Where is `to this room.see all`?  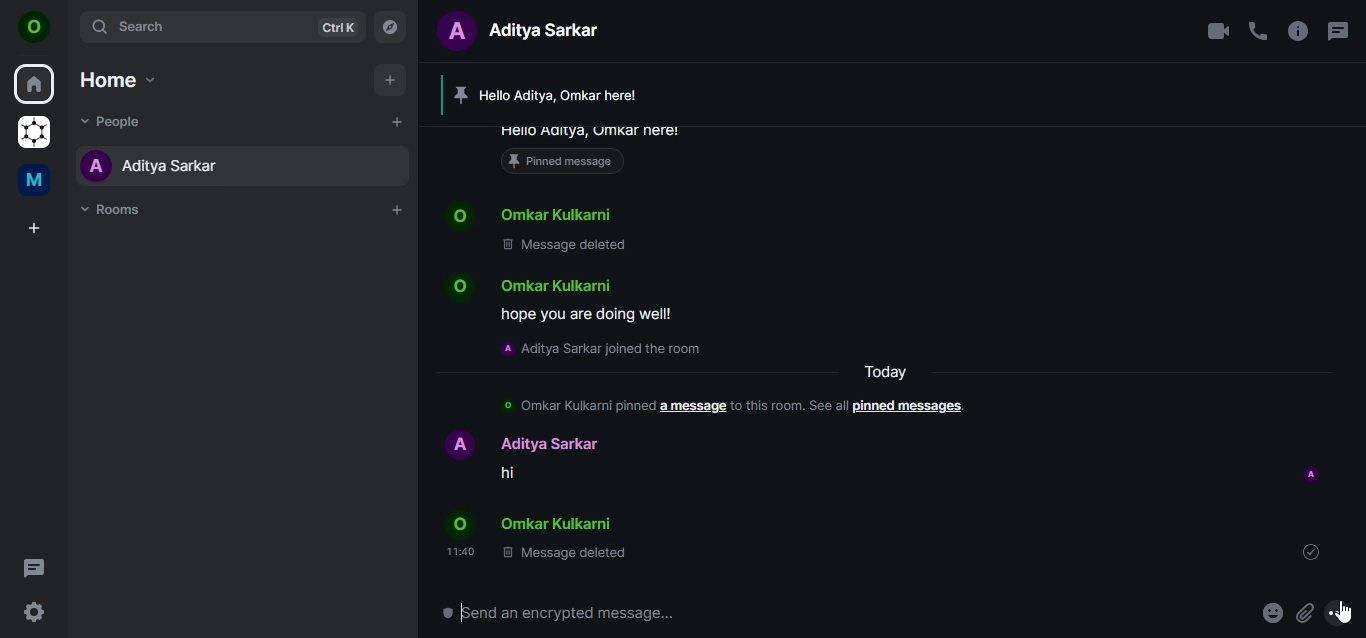 to this room.see all is located at coordinates (788, 406).